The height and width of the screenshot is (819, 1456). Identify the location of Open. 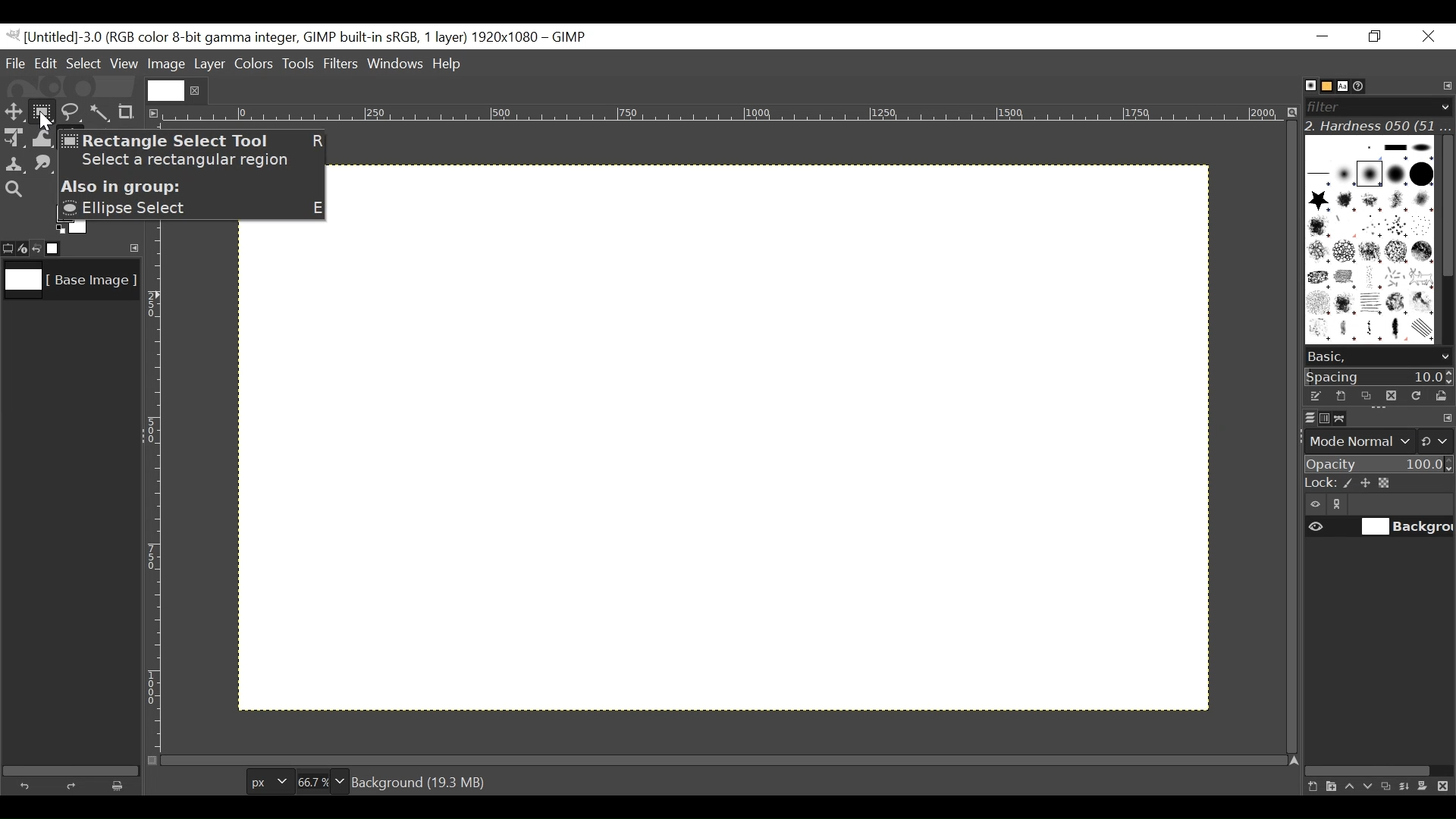
(1438, 396).